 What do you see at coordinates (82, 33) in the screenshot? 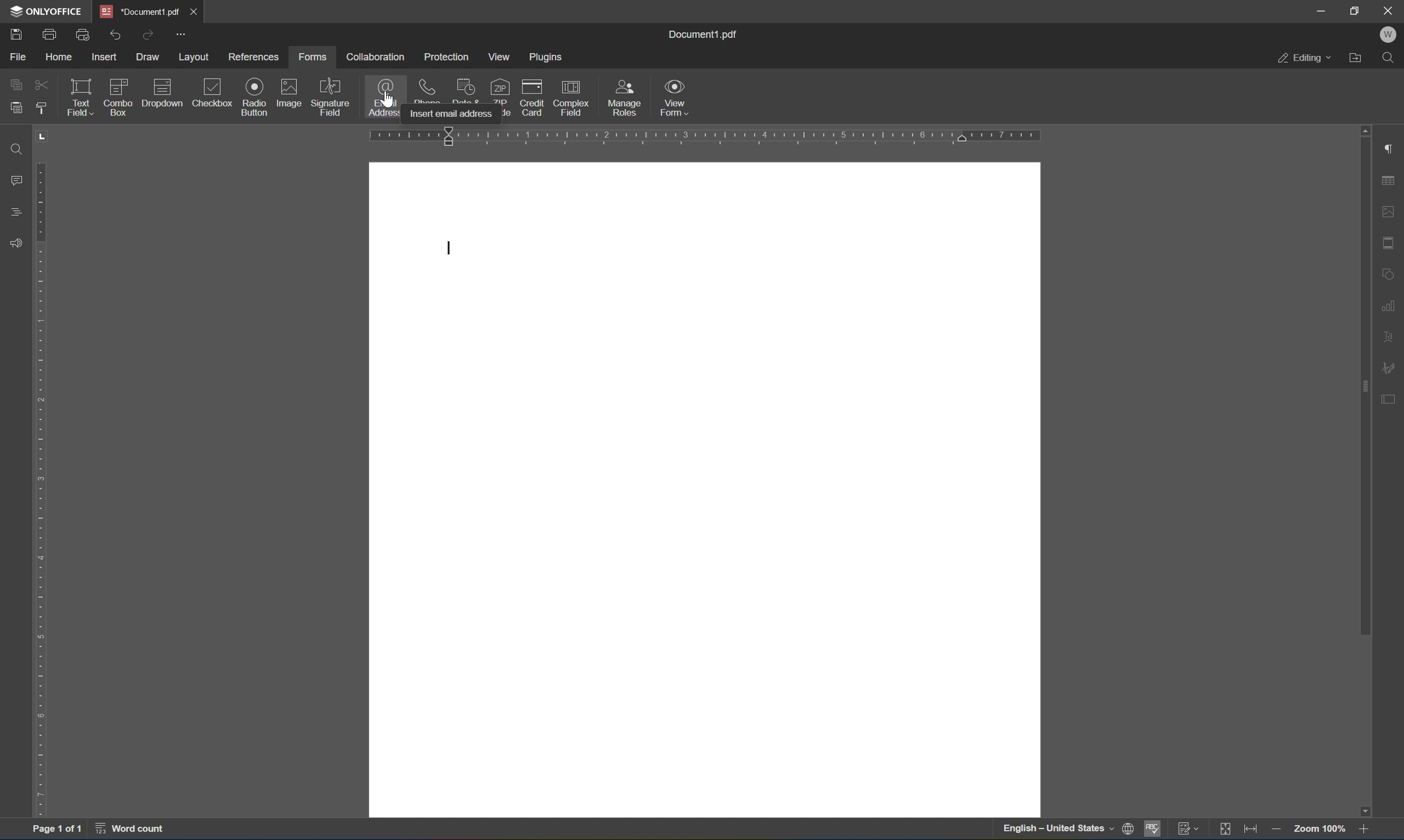
I see `quick print` at bounding box center [82, 33].